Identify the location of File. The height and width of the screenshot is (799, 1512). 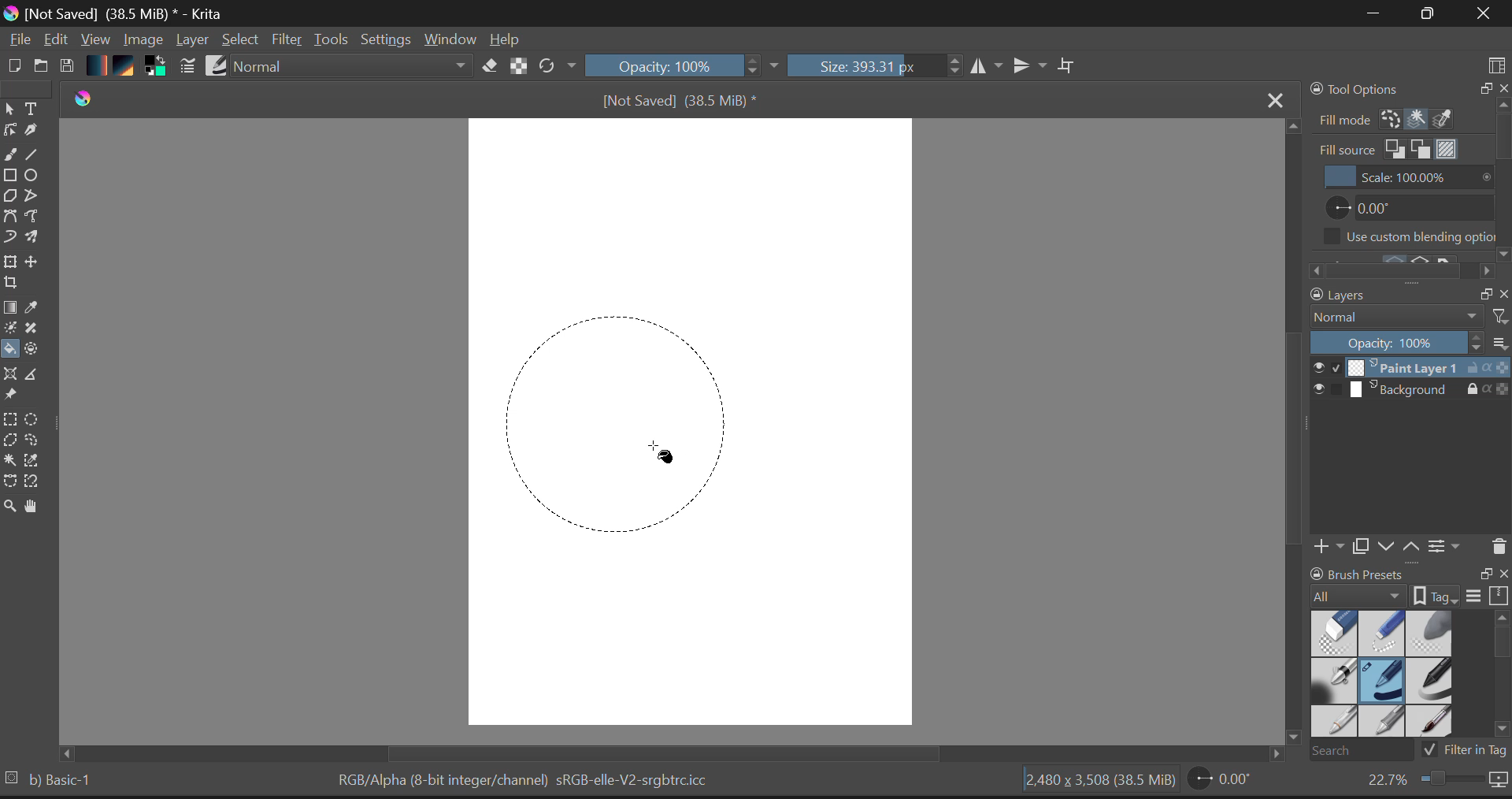
(19, 42).